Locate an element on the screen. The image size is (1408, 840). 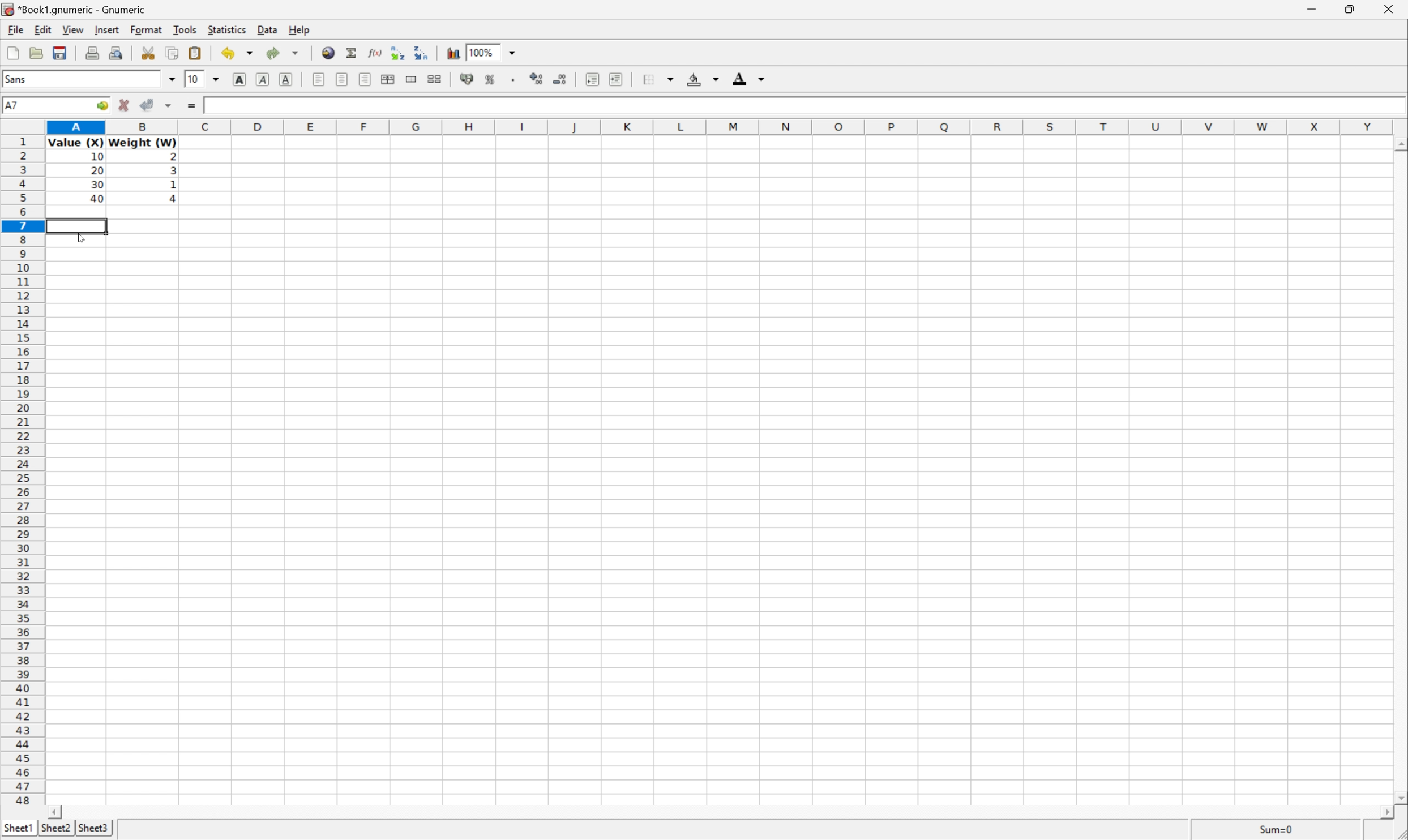
Sheet3 is located at coordinates (95, 829).